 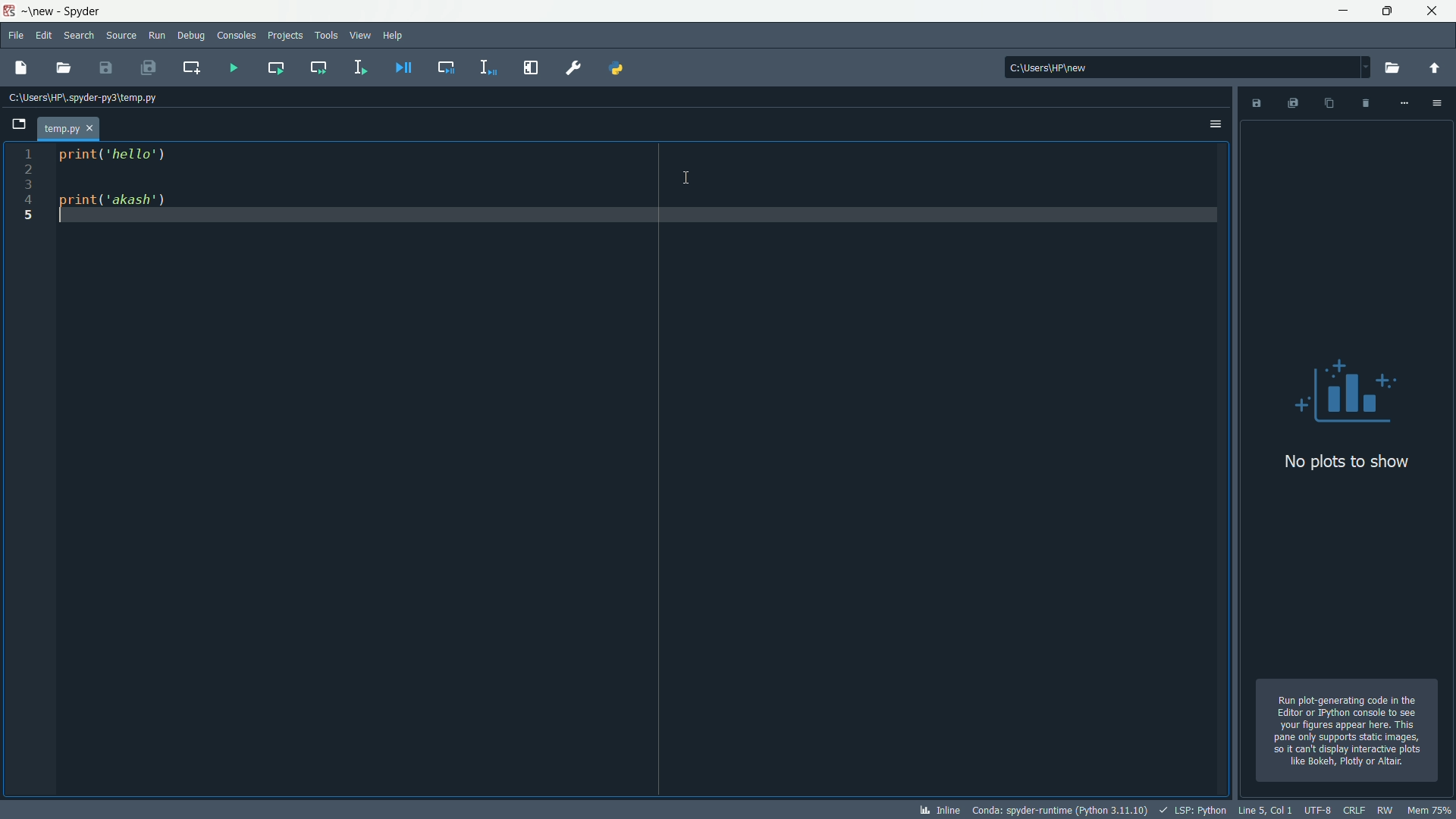 I want to click on app icon, so click(x=11, y=11).